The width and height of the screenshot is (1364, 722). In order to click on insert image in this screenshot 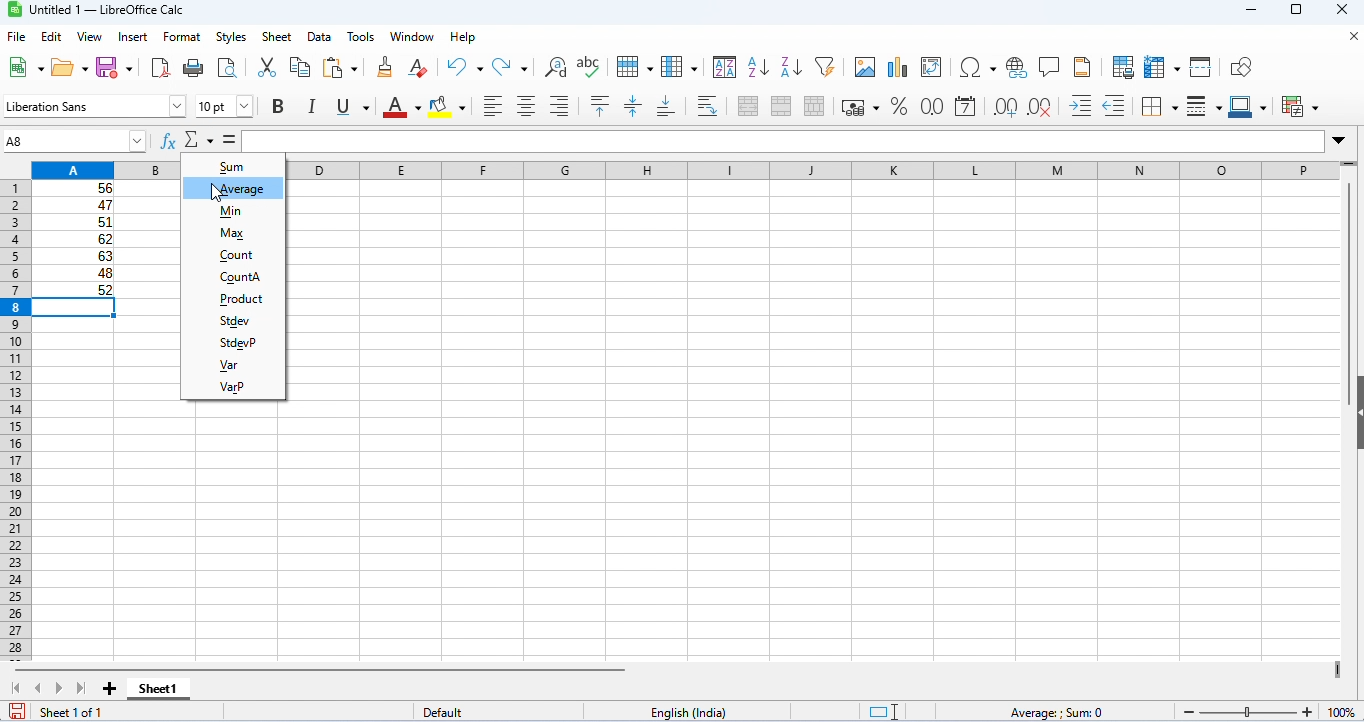, I will do `click(864, 67)`.